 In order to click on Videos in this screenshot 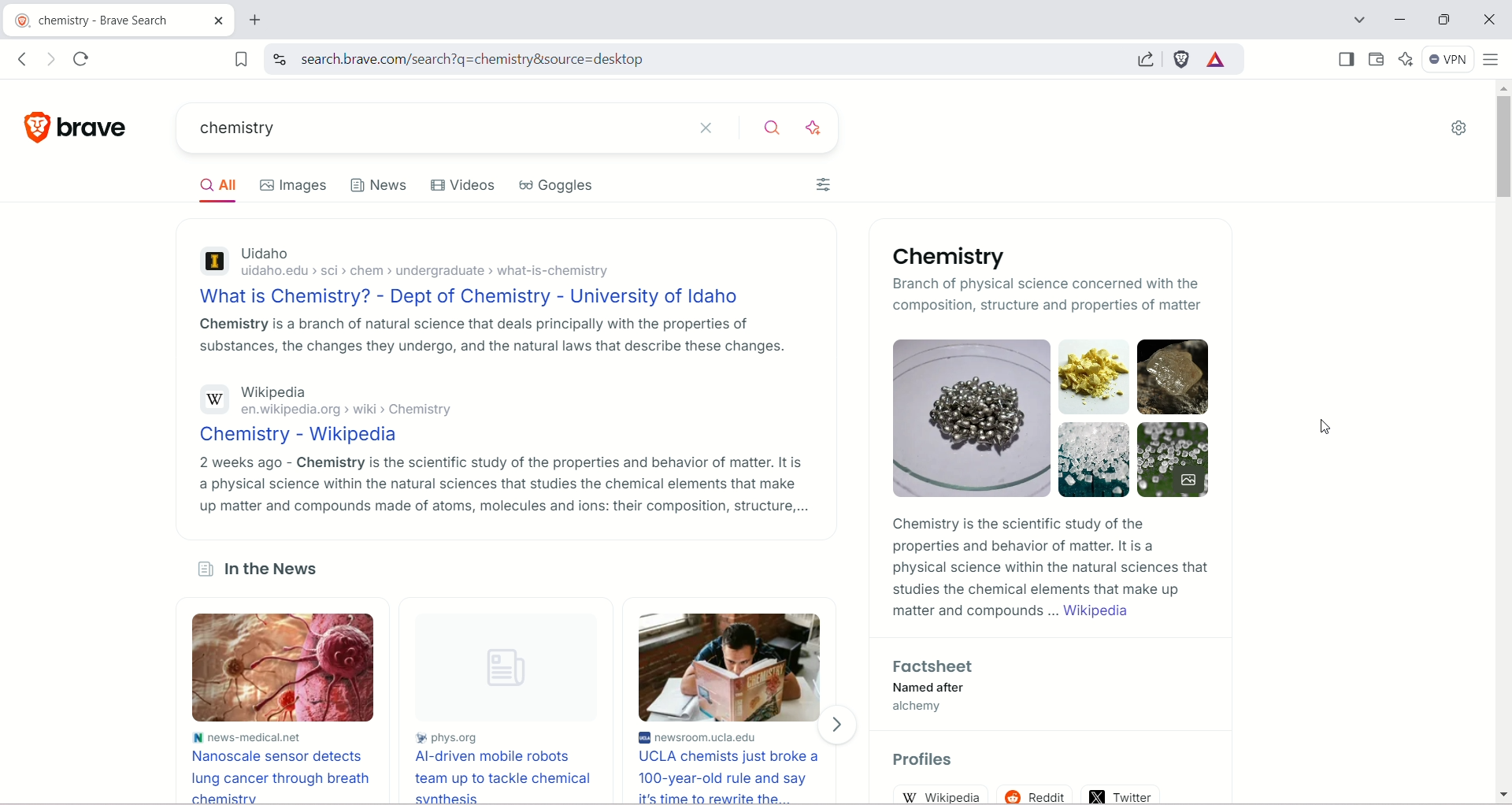, I will do `click(460, 183)`.